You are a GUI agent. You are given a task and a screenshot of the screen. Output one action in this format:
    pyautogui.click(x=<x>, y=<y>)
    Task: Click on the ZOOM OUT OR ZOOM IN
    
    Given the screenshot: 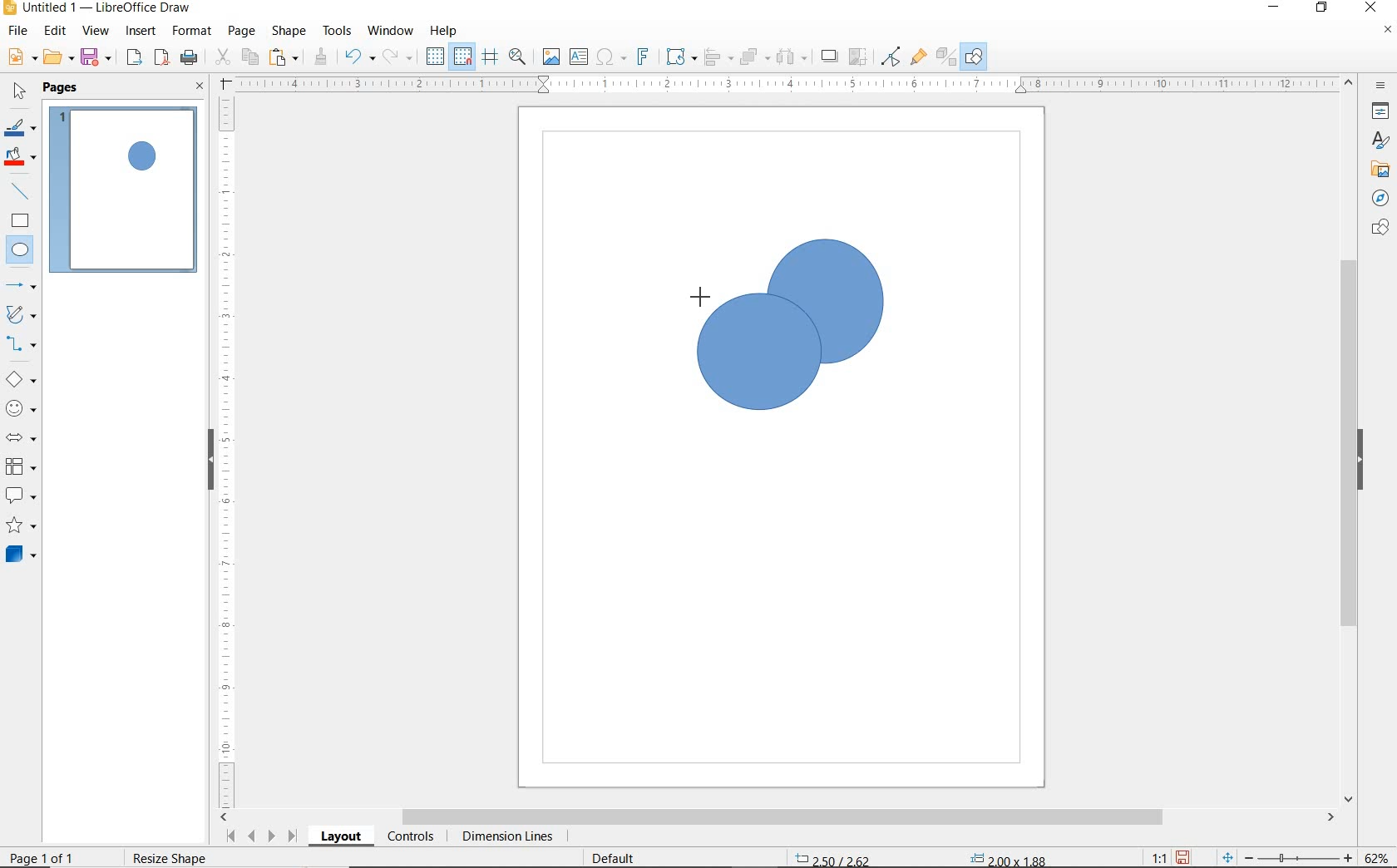 What is the action you would take?
    pyautogui.click(x=1287, y=858)
    